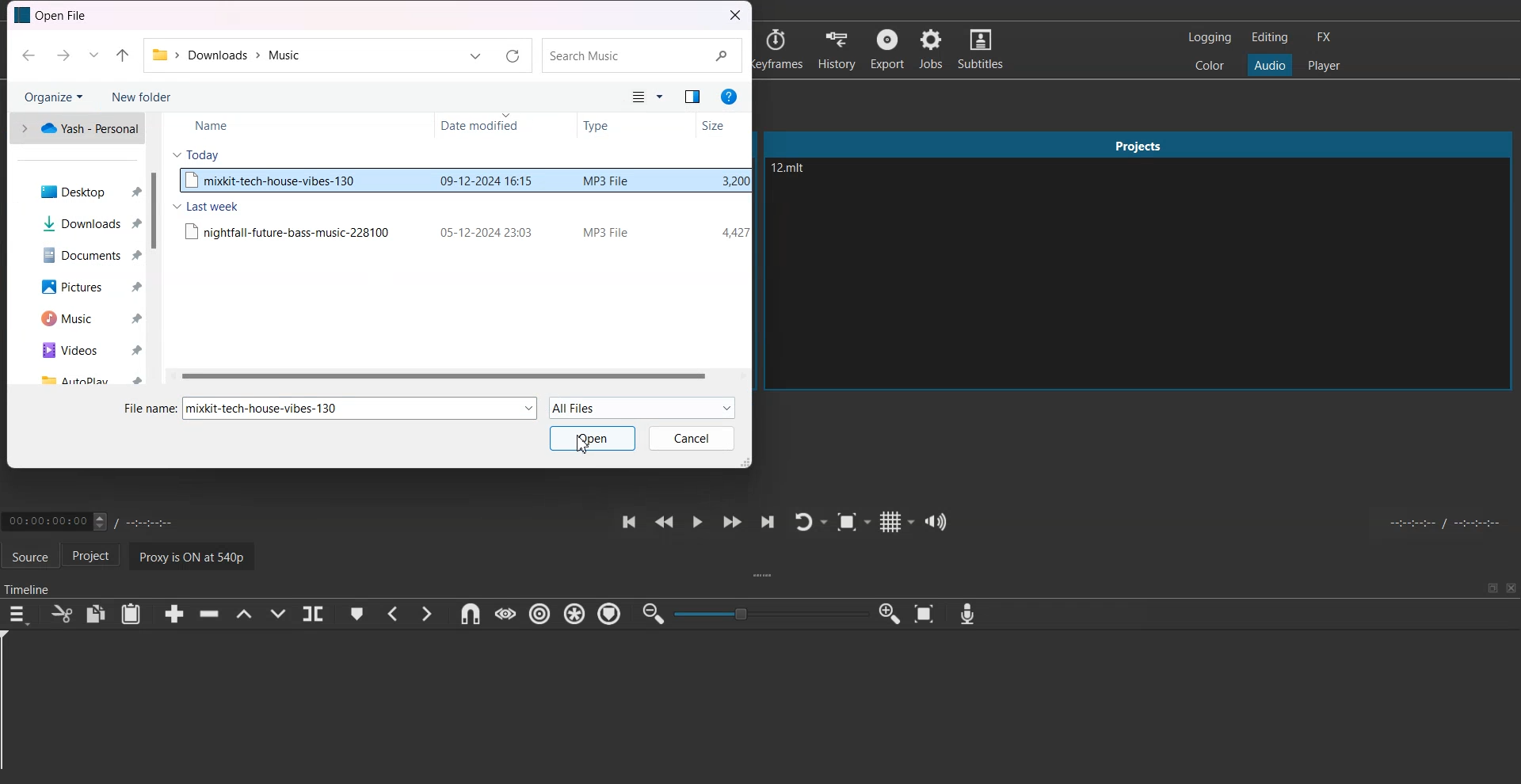 The image size is (1521, 784). I want to click on Minimize, so click(1492, 588).